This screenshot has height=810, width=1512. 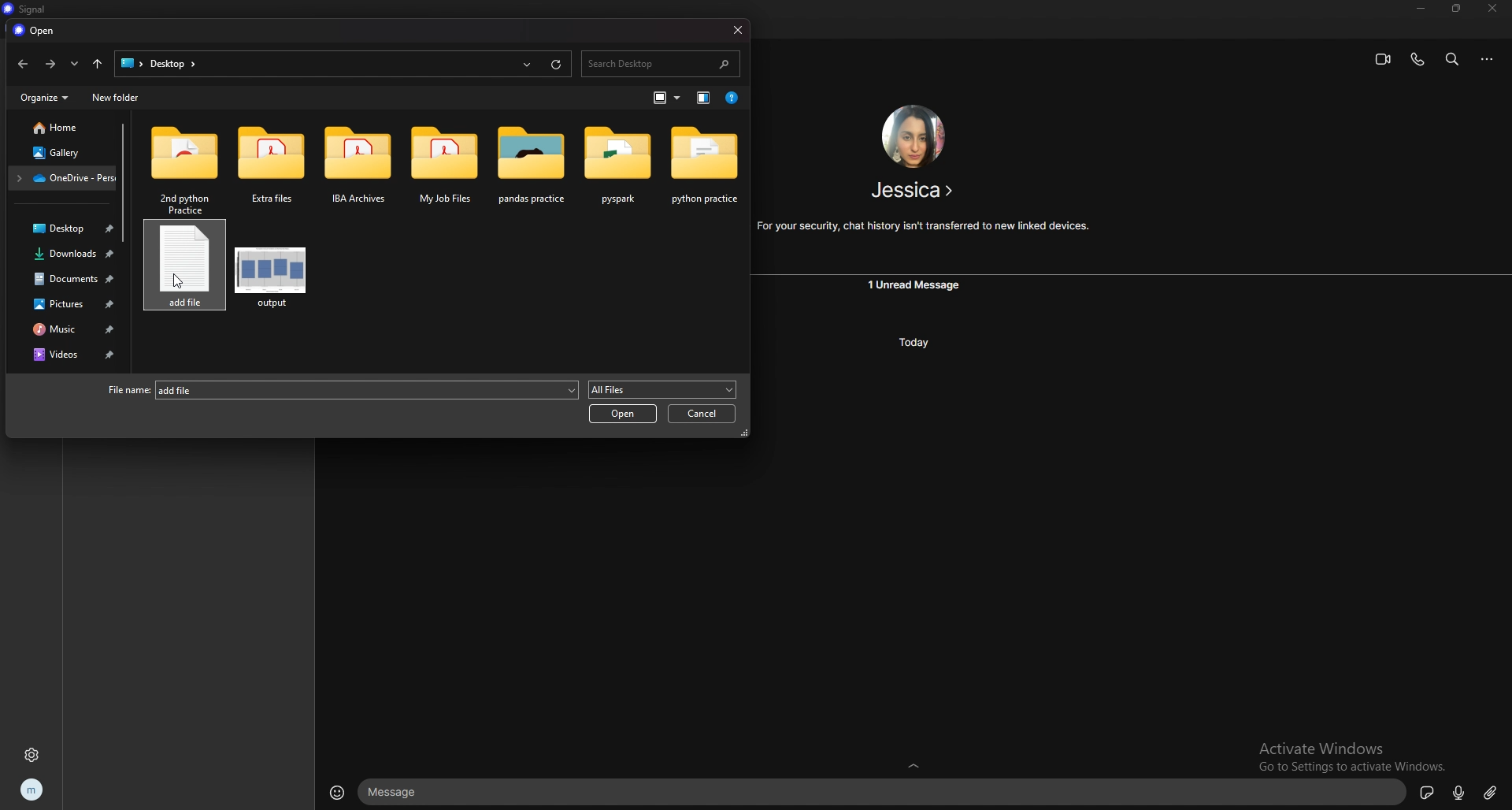 I want to click on close, so click(x=1489, y=9).